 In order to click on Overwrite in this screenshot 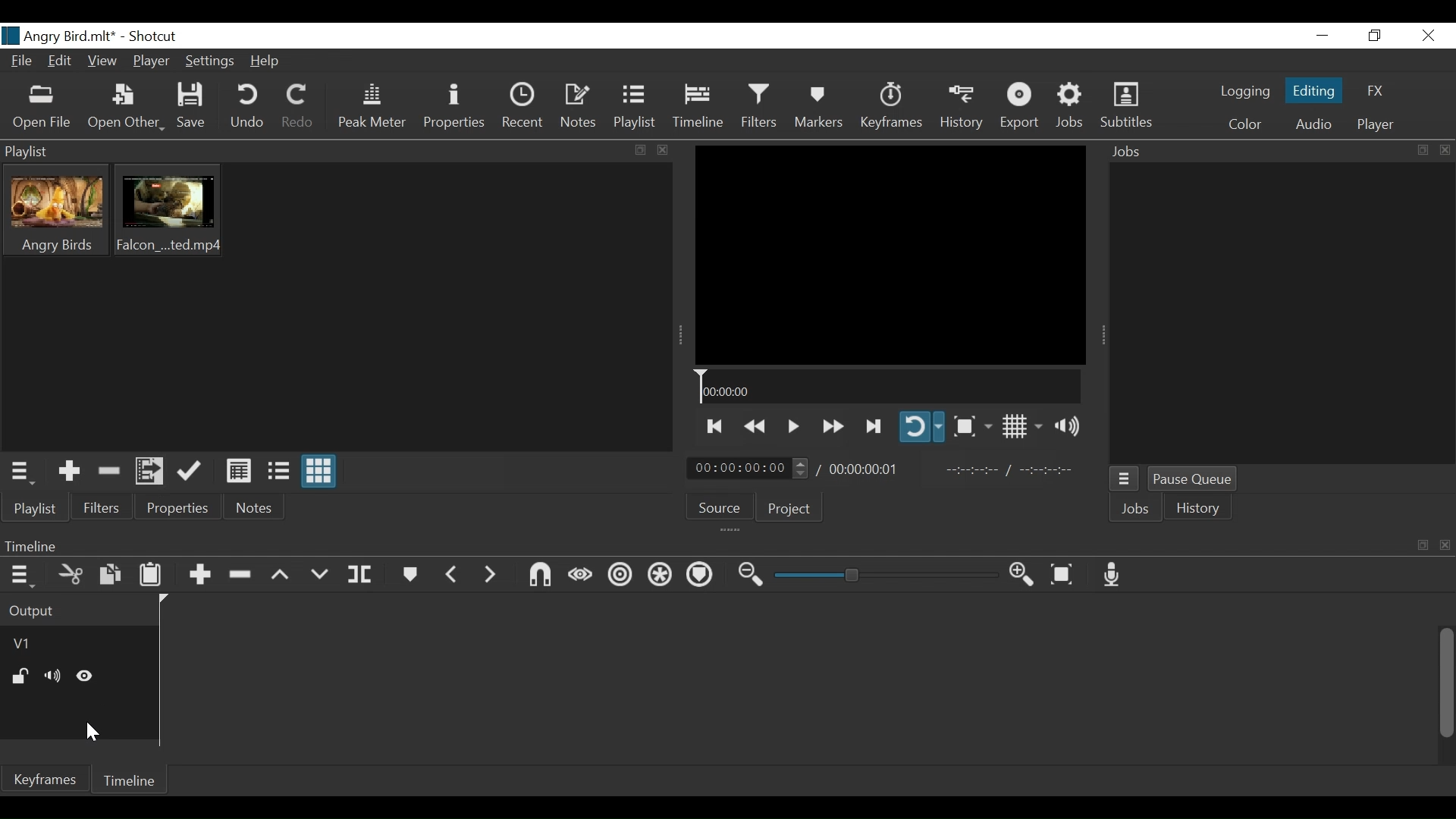, I will do `click(319, 576)`.